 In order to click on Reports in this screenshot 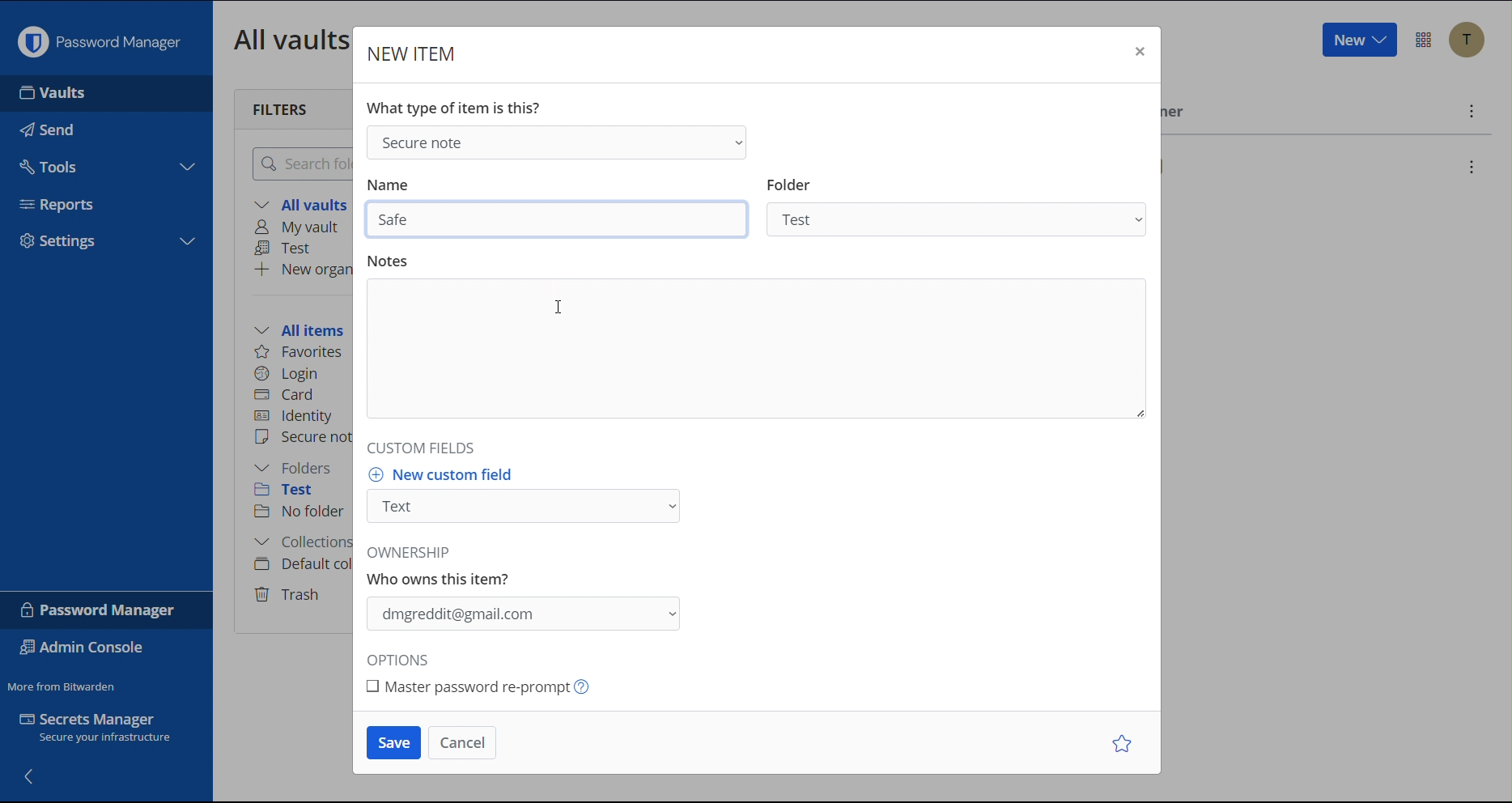, I will do `click(108, 199)`.